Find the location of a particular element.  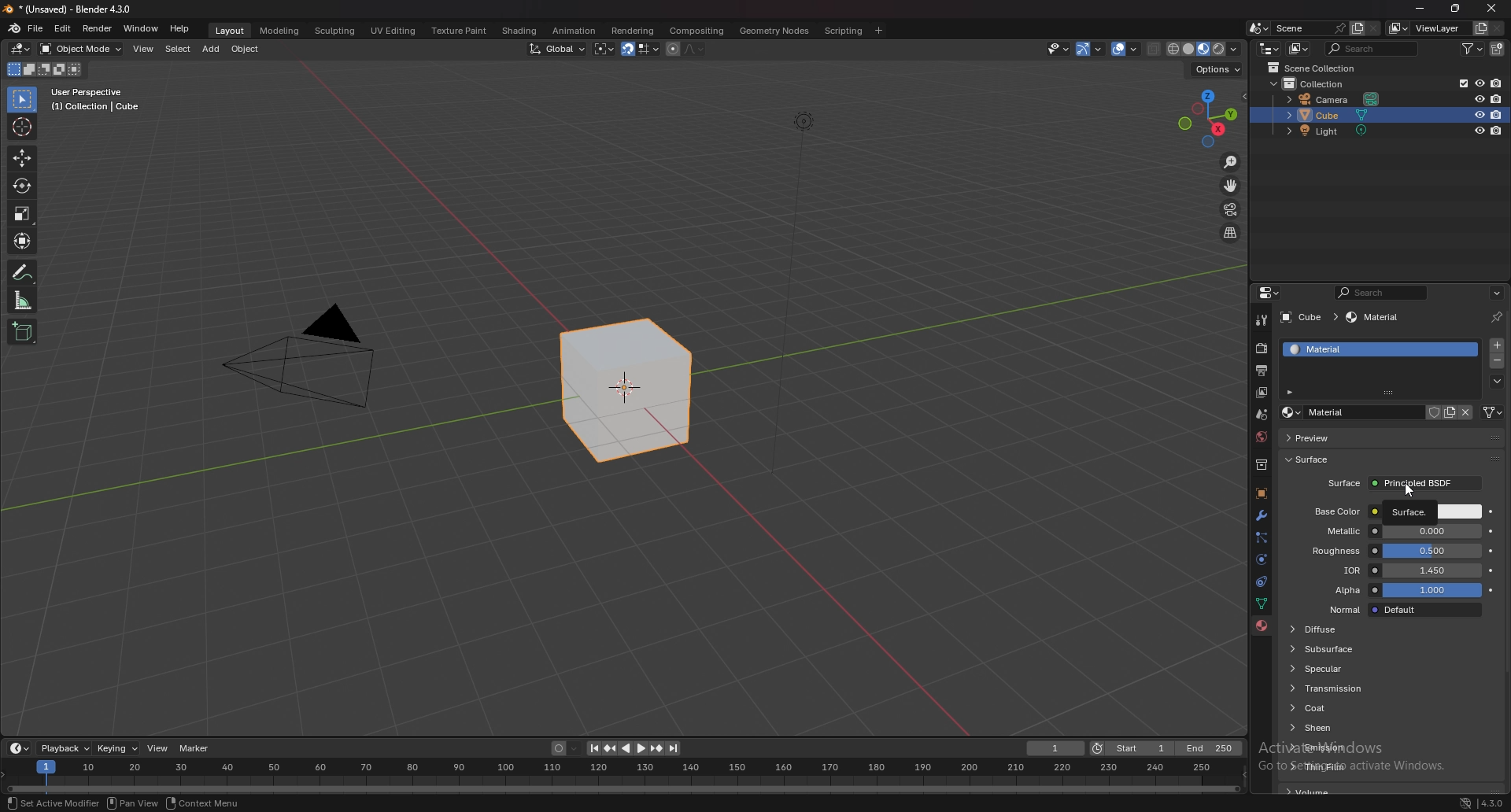

hide in viewport is located at coordinates (1479, 98).